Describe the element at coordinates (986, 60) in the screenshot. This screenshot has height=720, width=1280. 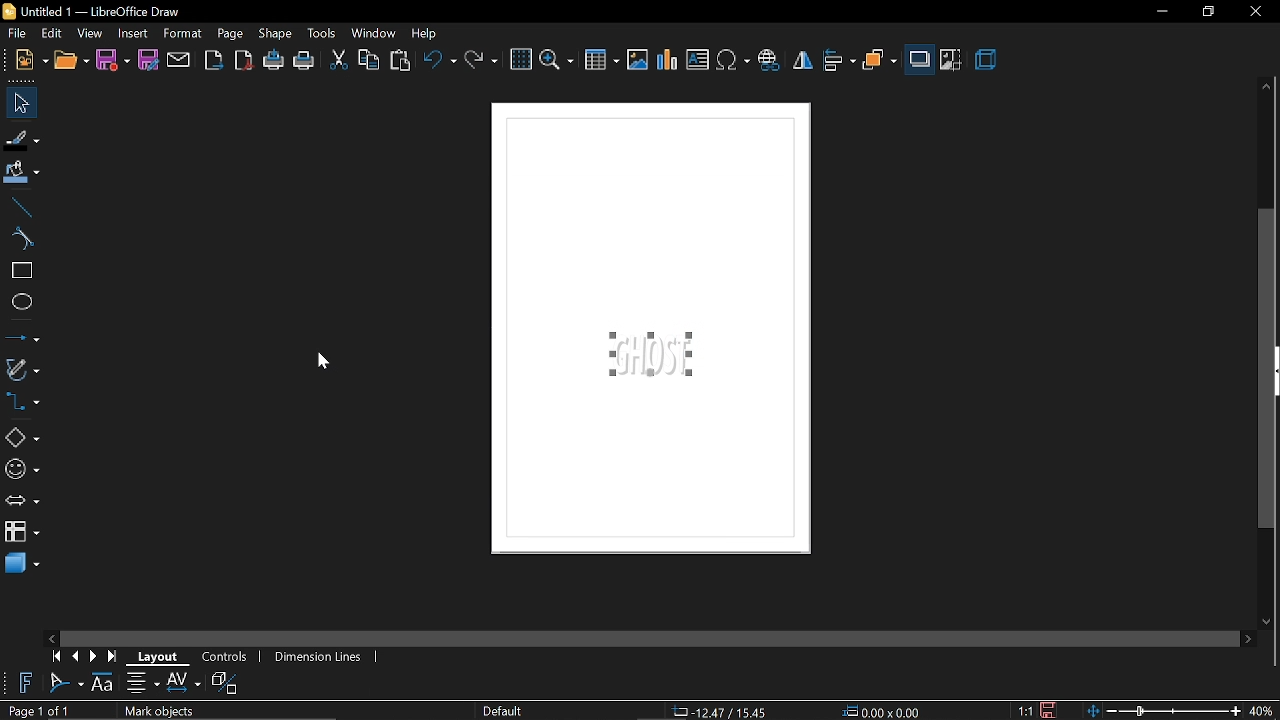
I see `3d effect` at that location.